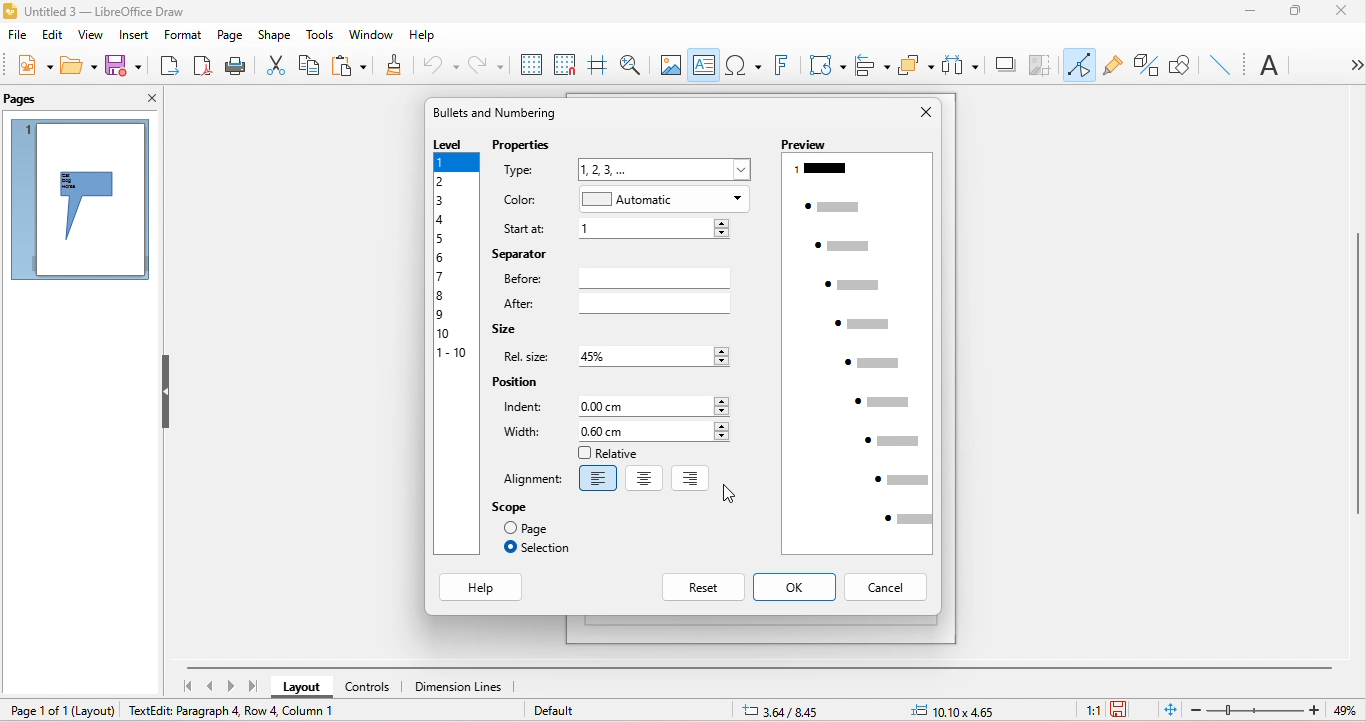 The image size is (1366, 722). I want to click on insert, so click(130, 35).